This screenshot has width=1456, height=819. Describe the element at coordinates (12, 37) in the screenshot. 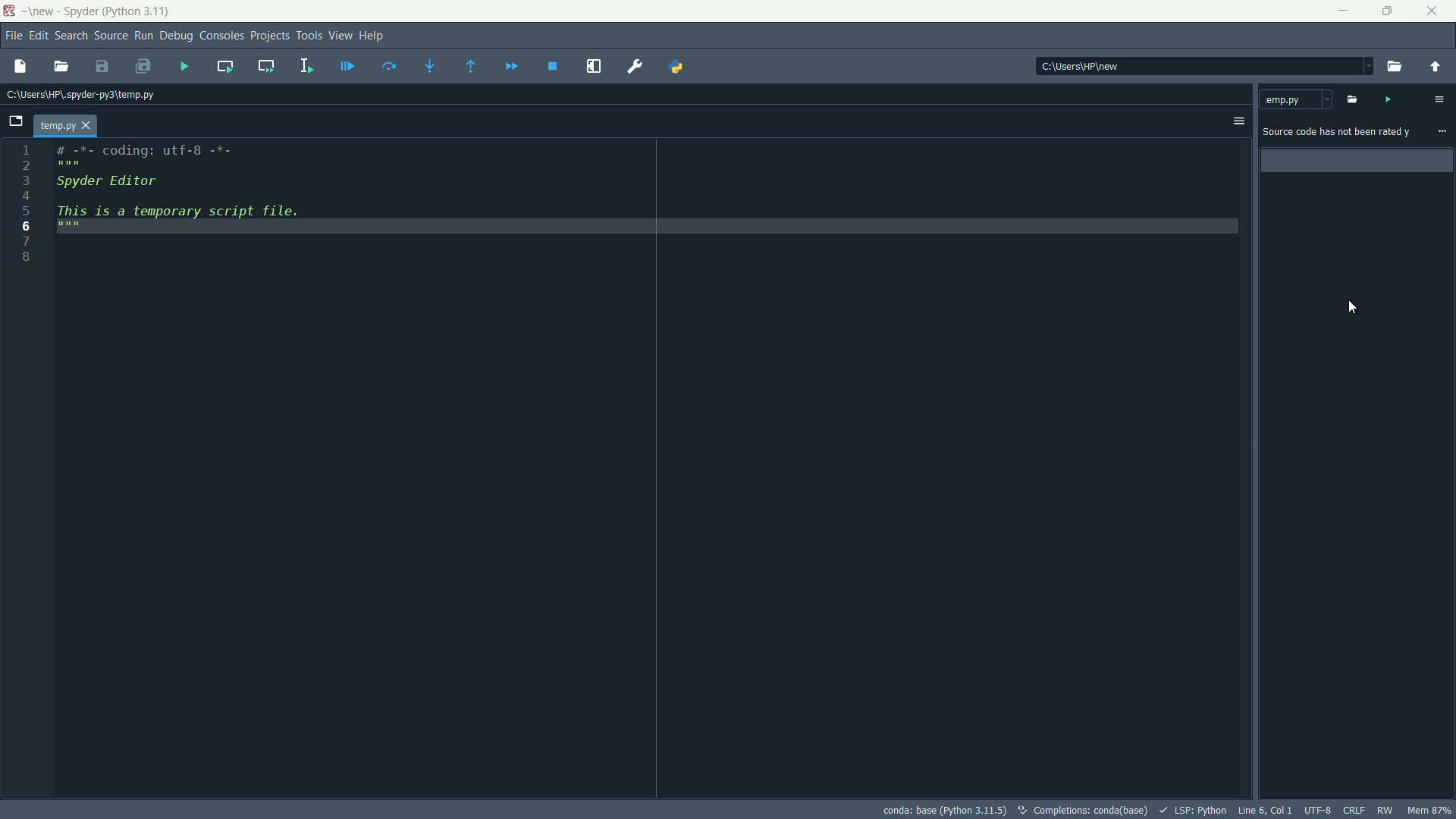

I see `file menu` at that location.